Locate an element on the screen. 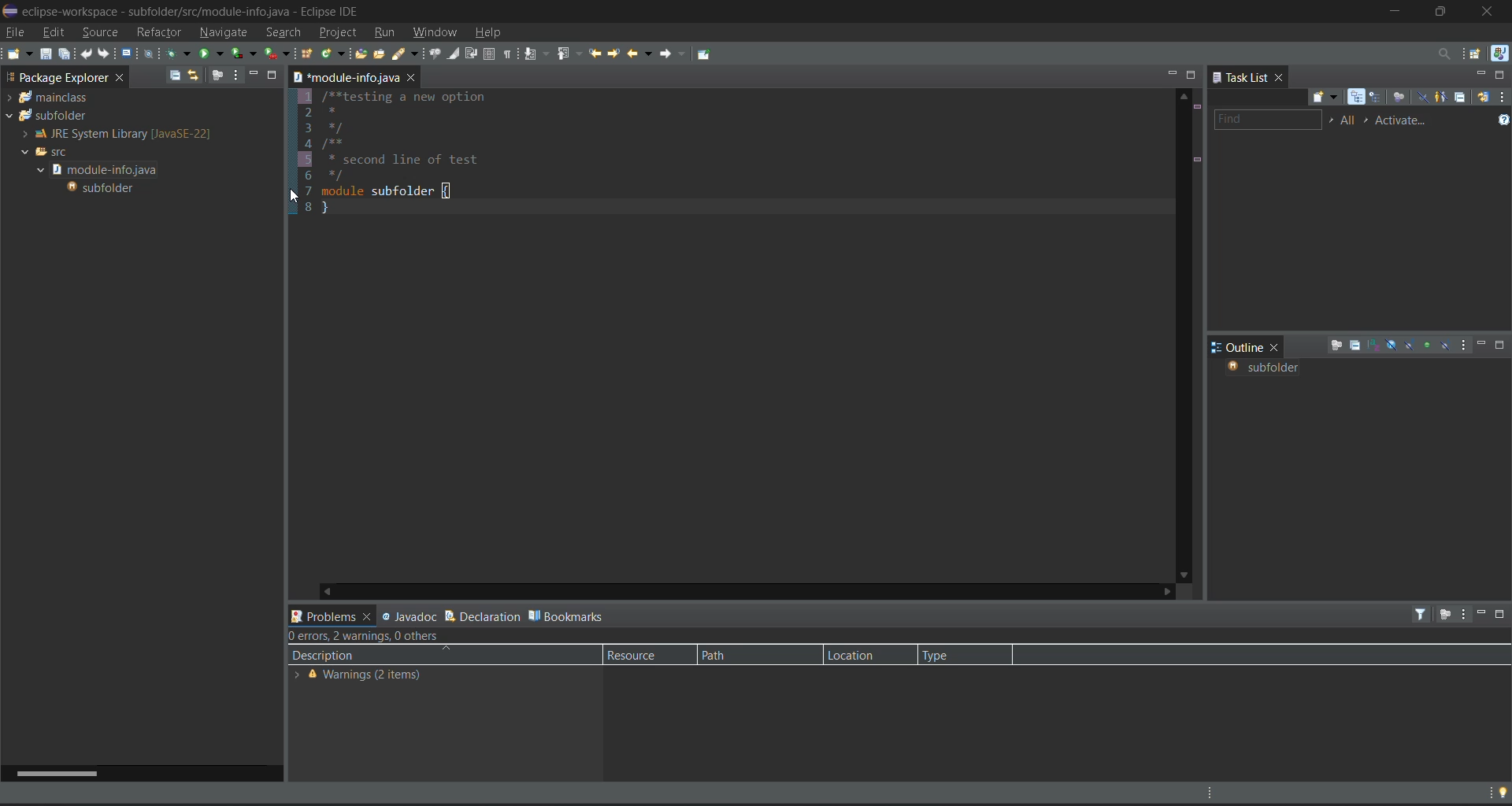 Image resolution: width=1512 pixels, height=806 pixels. Project Explorer is located at coordinates (54, 76).